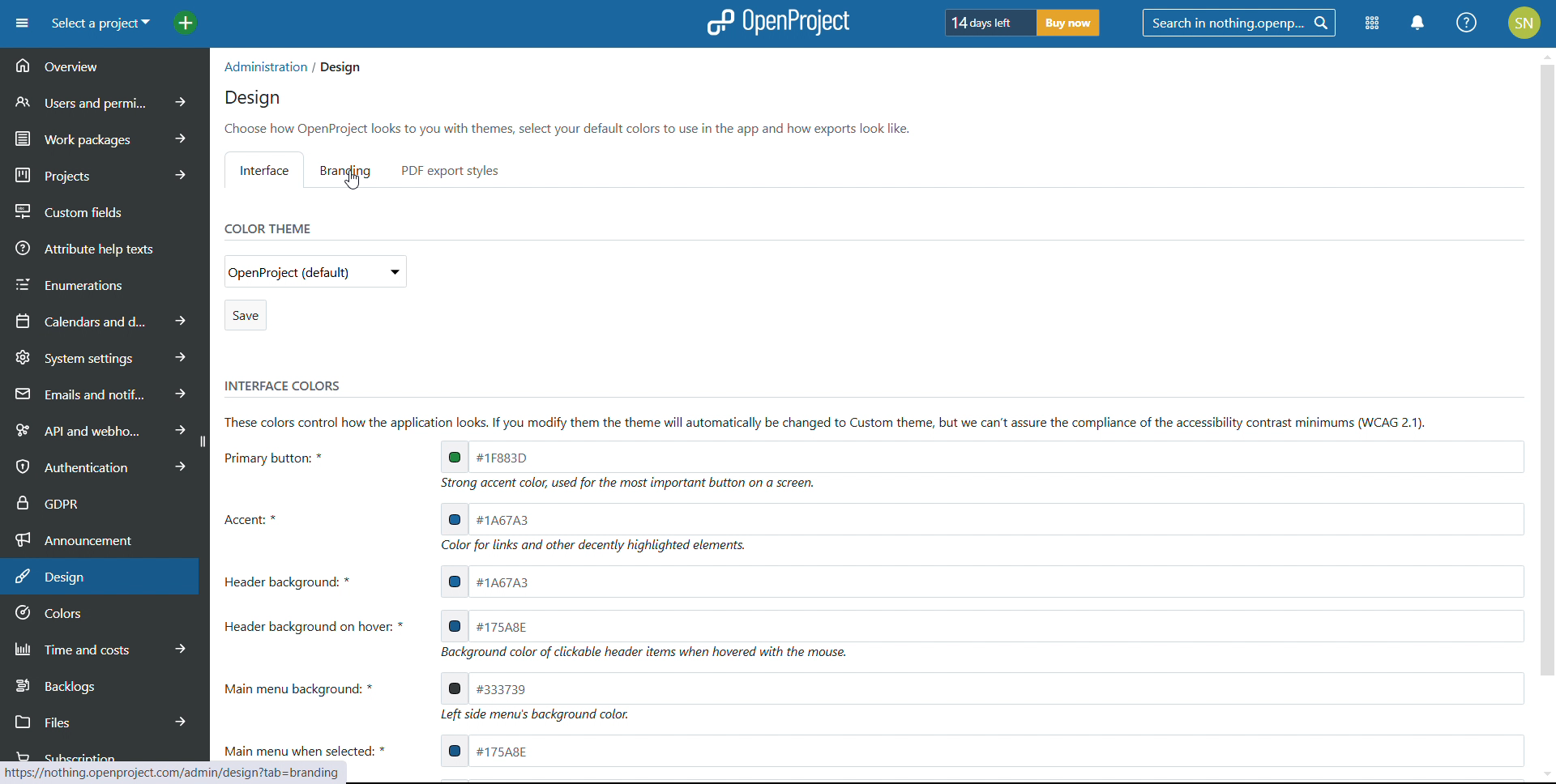 The width and height of the screenshot is (1556, 784). What do you see at coordinates (1545, 382) in the screenshot?
I see `vertical scroll bar` at bounding box center [1545, 382].